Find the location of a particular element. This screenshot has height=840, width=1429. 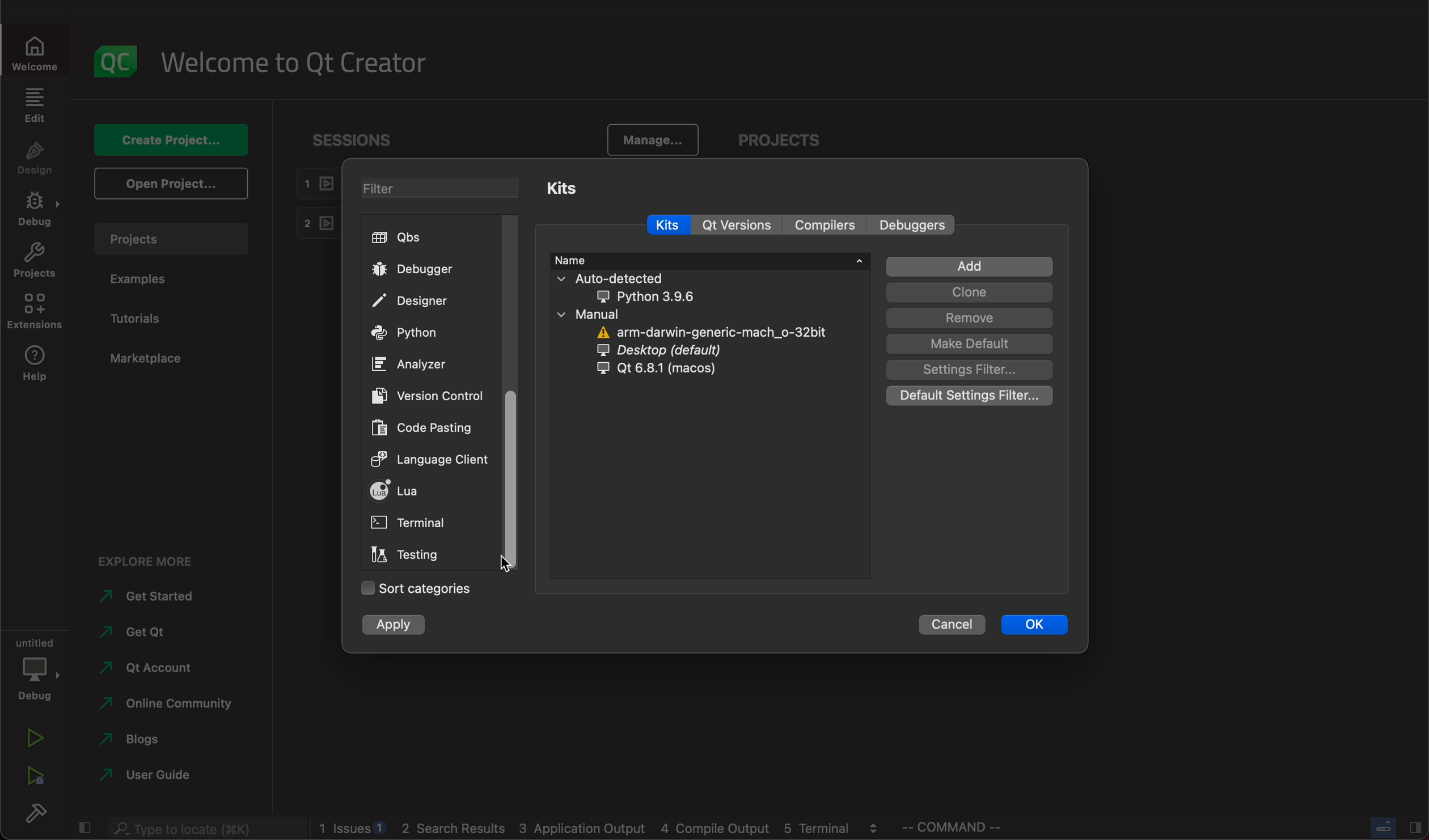

scroll bar is located at coordinates (513, 479).